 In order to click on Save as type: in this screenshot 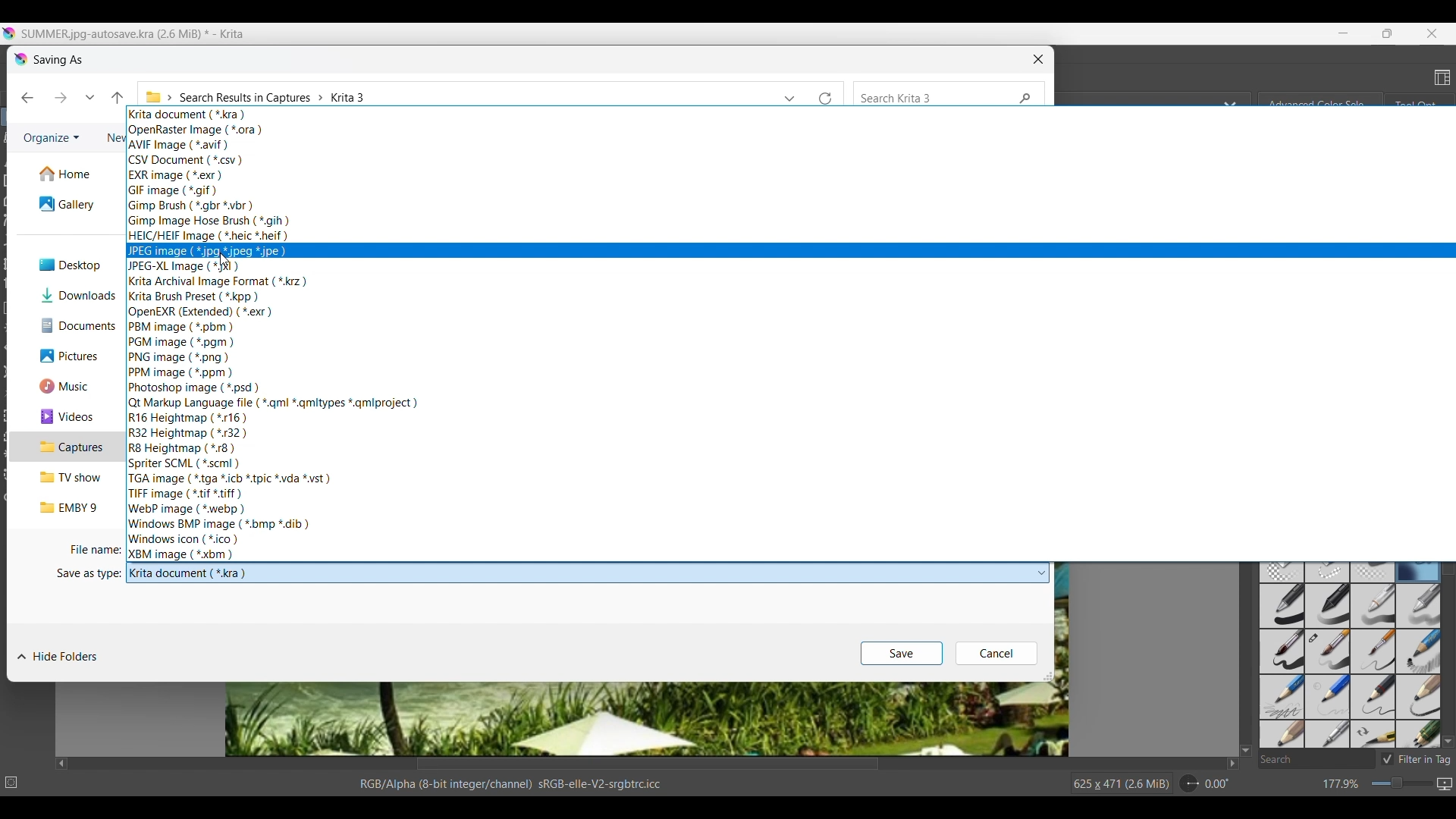, I will do `click(87, 575)`.